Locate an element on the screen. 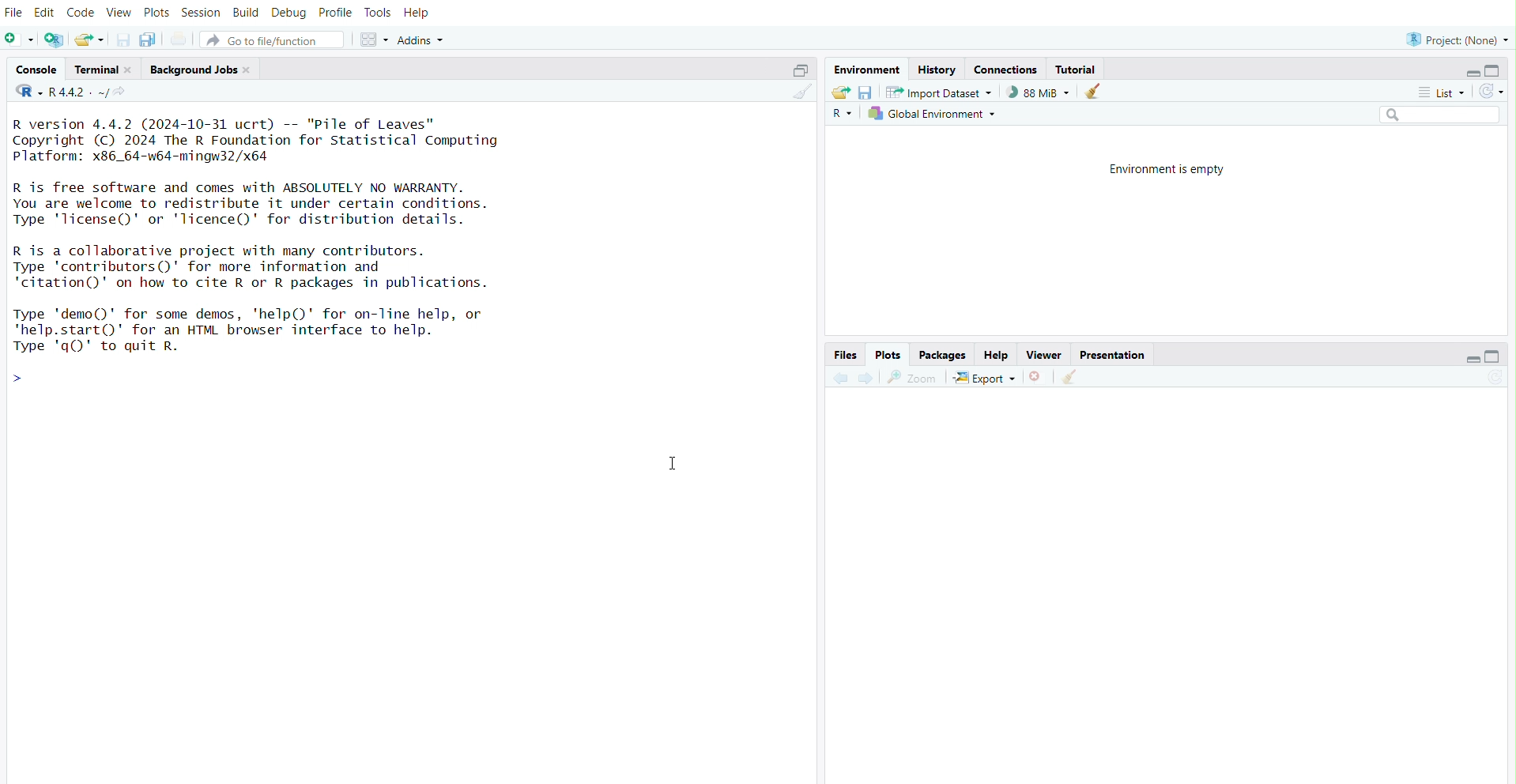  language change is located at coordinates (23, 91).